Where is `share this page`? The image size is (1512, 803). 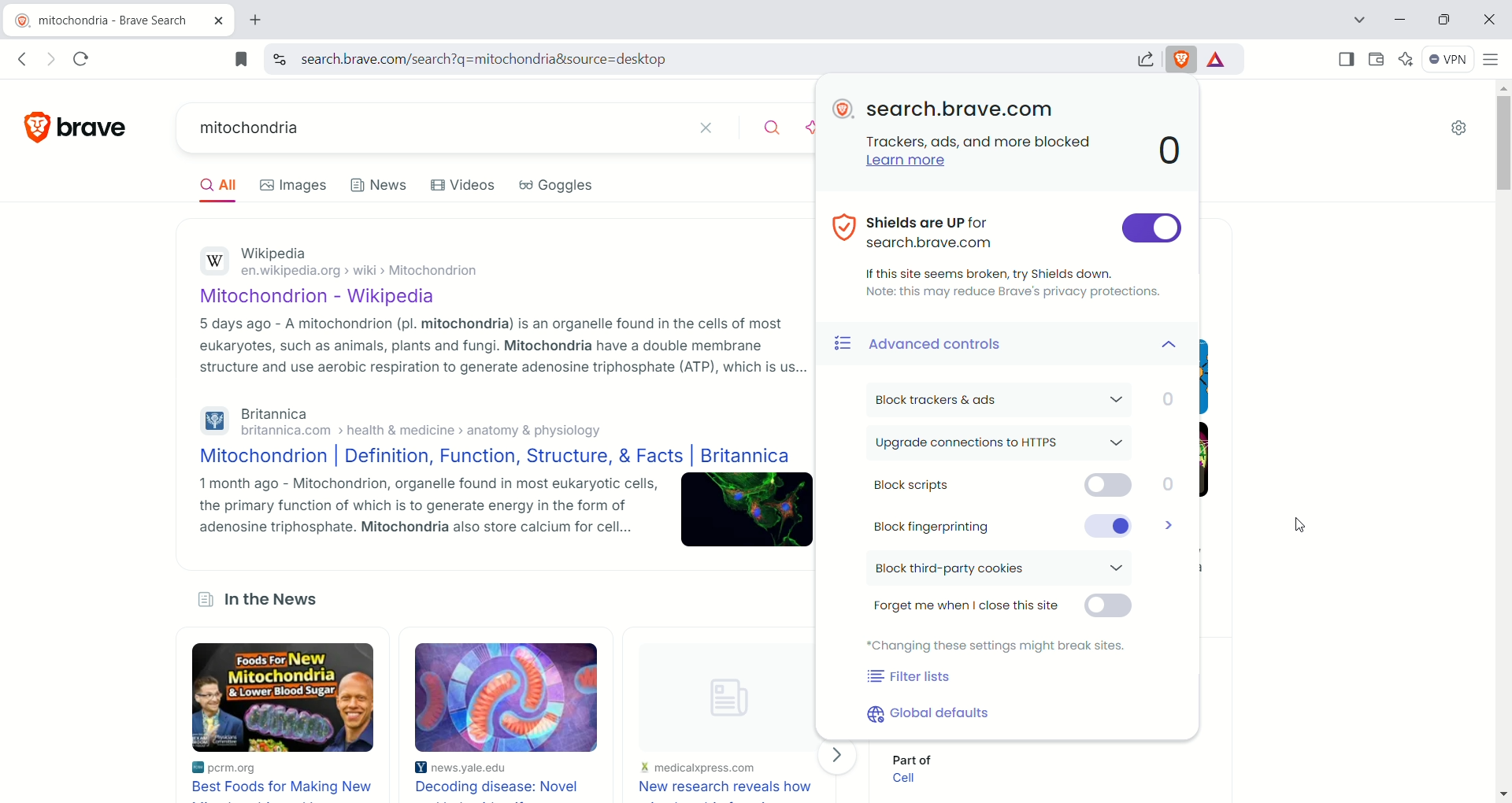 share this page is located at coordinates (1144, 57).